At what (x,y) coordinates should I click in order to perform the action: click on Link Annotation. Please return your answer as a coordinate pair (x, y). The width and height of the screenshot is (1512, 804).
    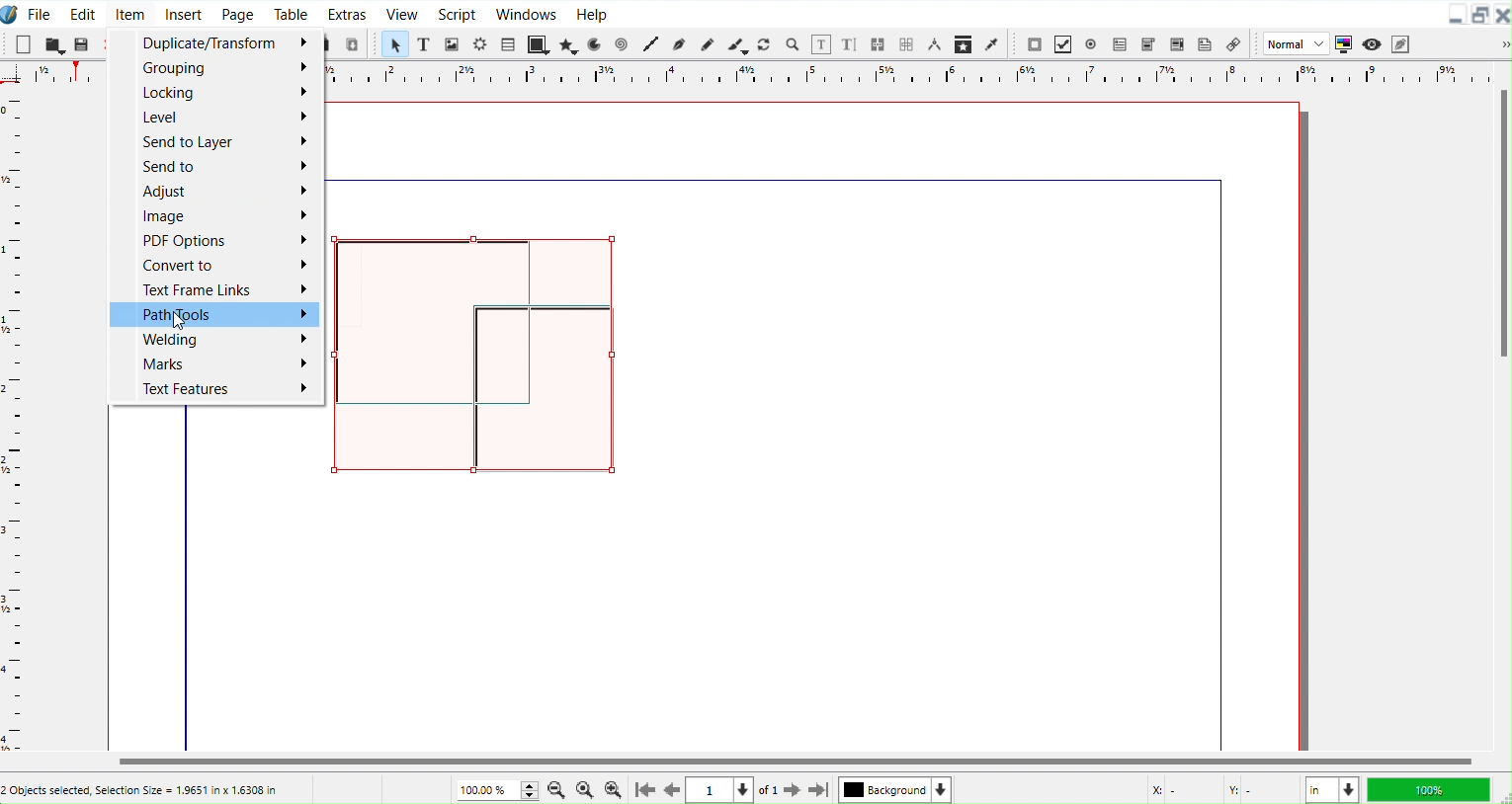
    Looking at the image, I should click on (1233, 43).